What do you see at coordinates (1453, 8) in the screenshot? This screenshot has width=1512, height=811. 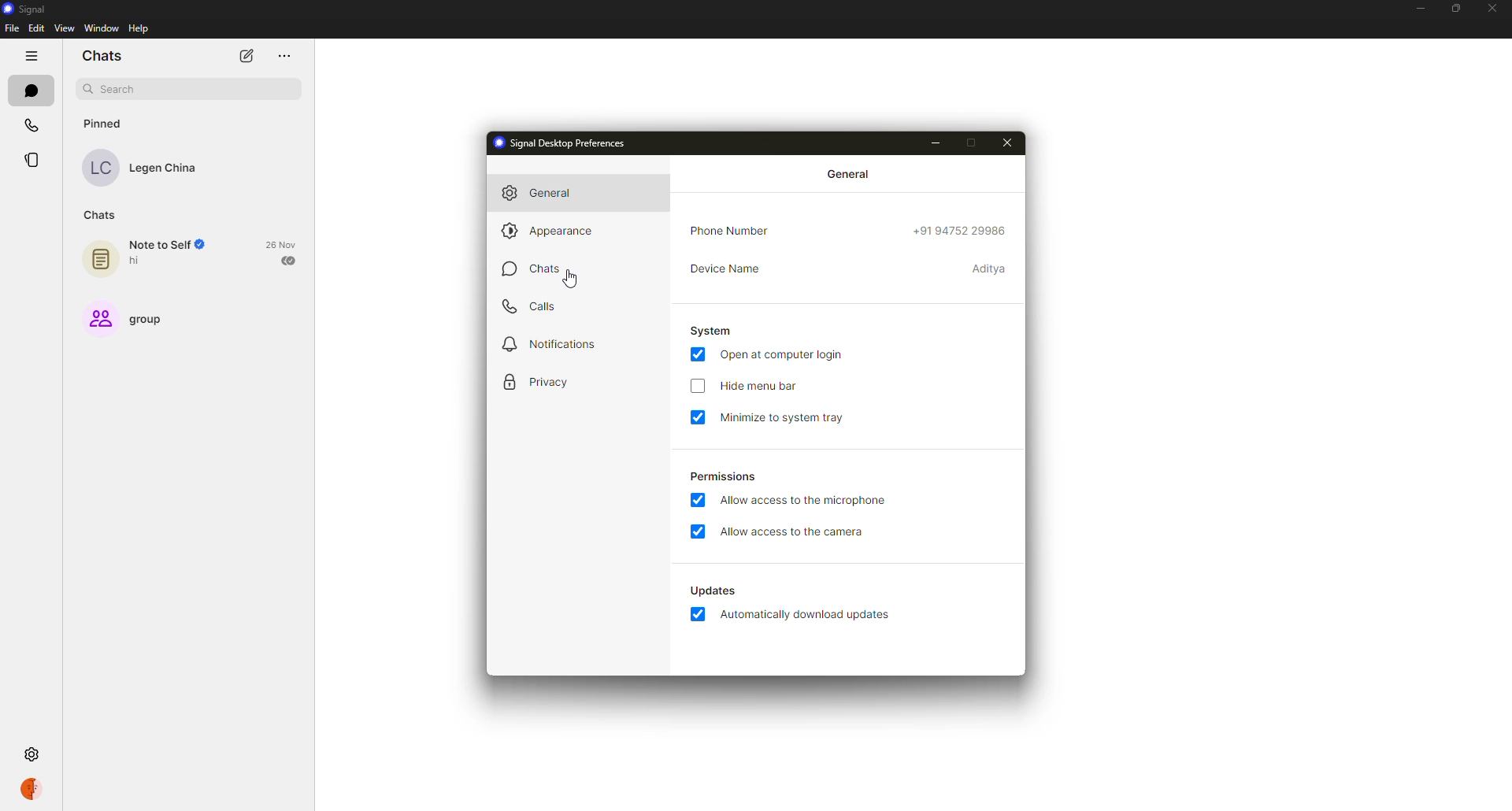 I see `maximize` at bounding box center [1453, 8].